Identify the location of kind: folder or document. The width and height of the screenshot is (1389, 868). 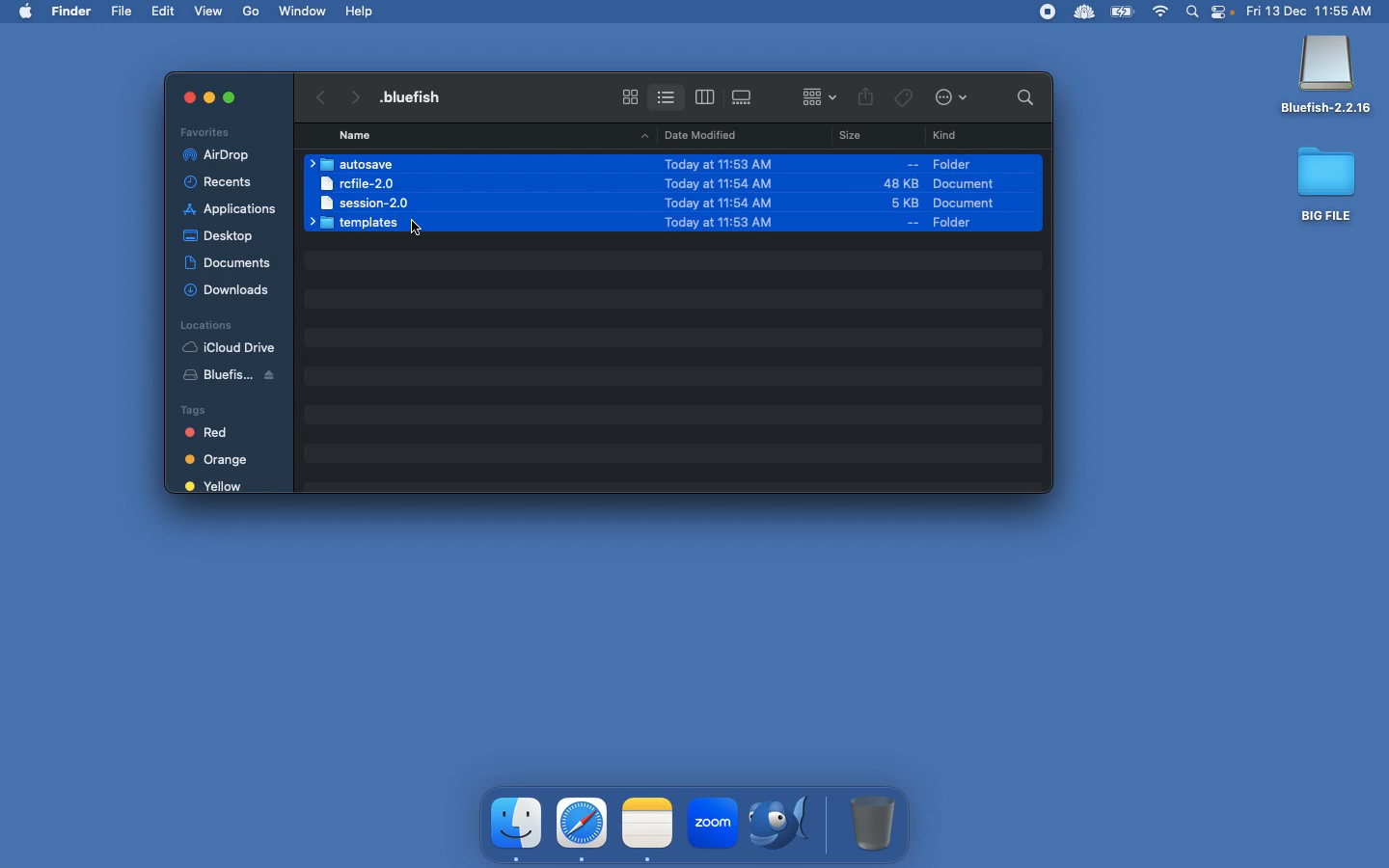
(978, 192).